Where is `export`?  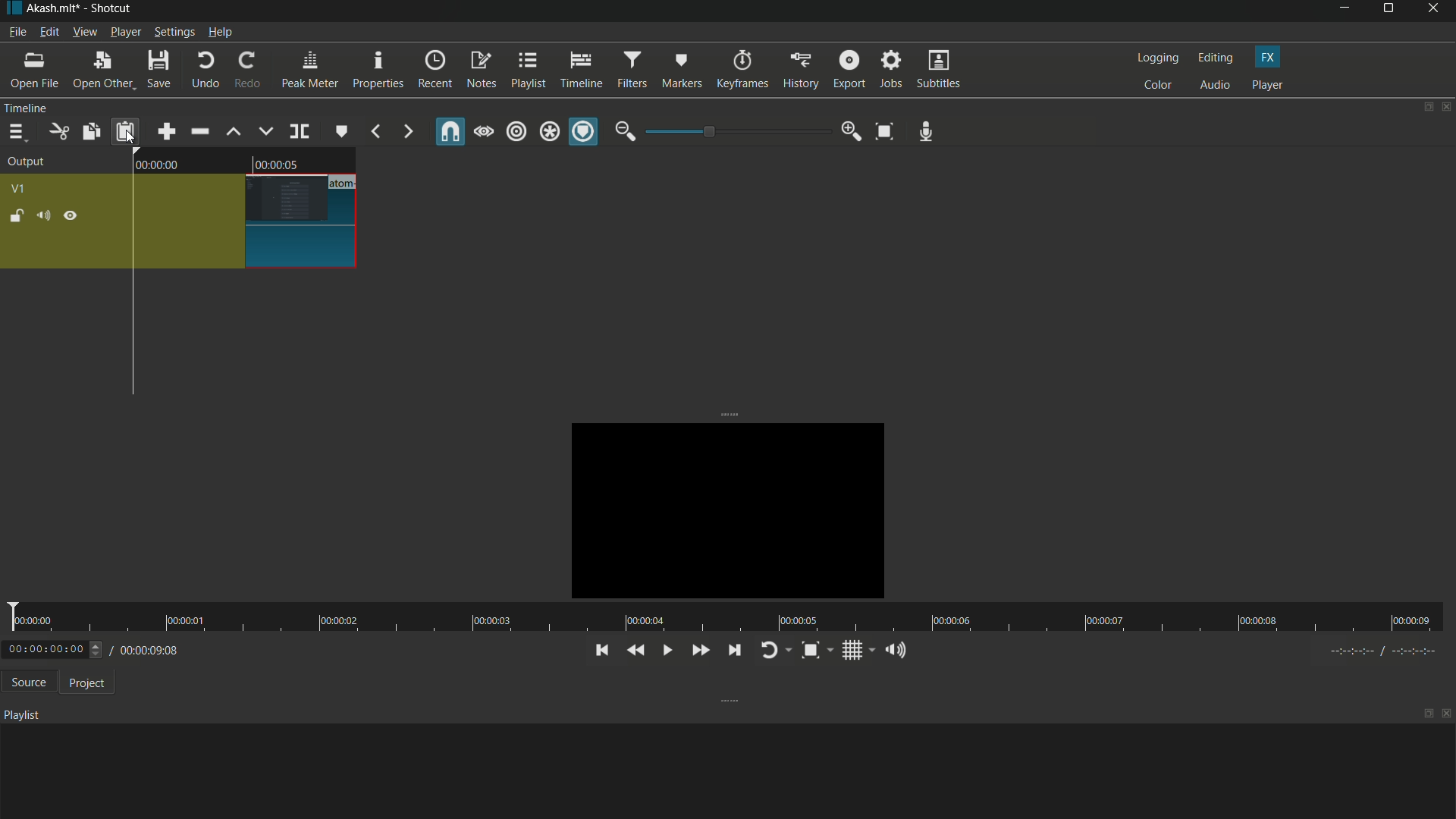 export is located at coordinates (847, 70).